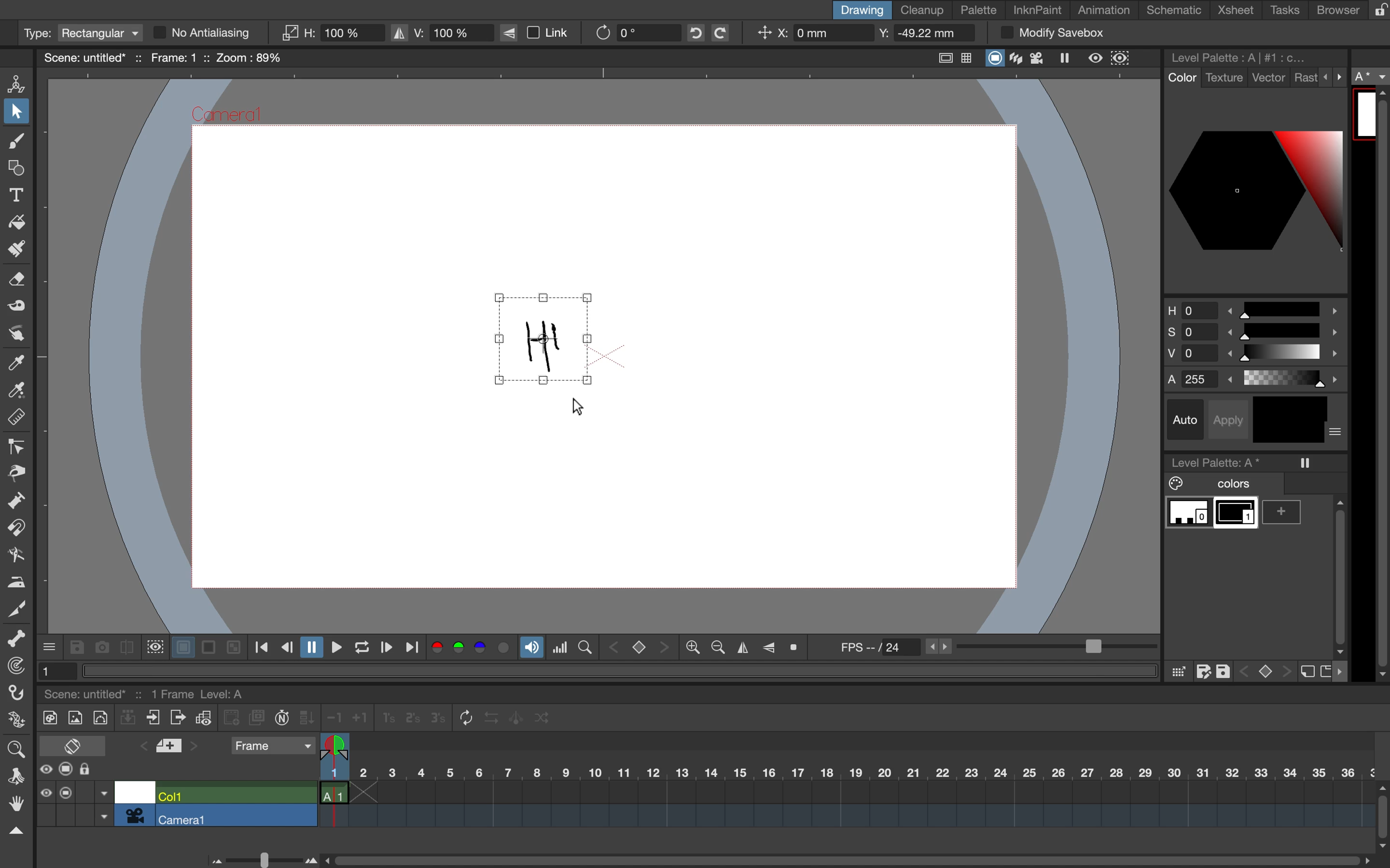  Describe the element at coordinates (17, 192) in the screenshot. I see `type tool` at that location.